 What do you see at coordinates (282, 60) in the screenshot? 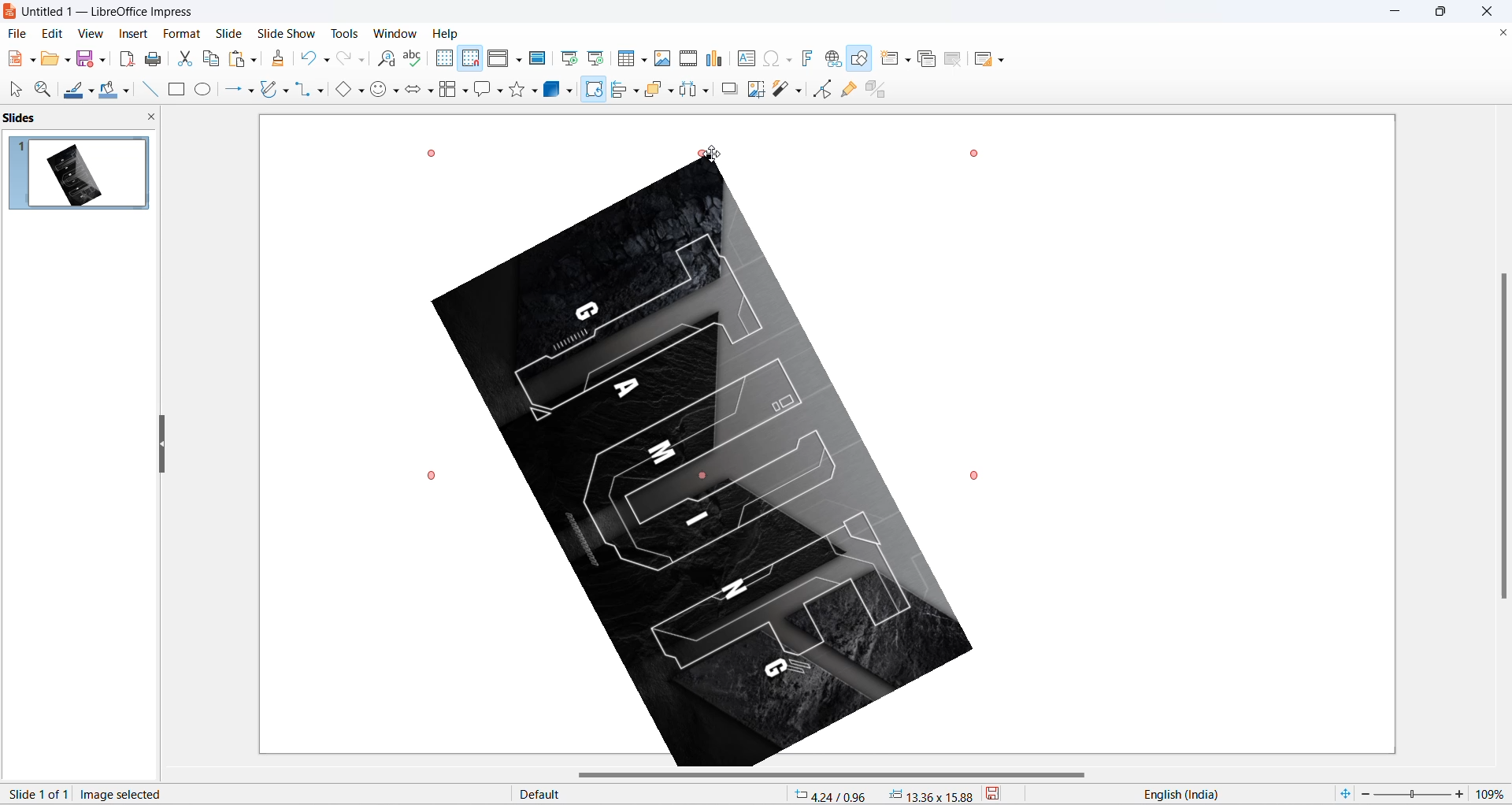
I see `clone formatting` at bounding box center [282, 60].